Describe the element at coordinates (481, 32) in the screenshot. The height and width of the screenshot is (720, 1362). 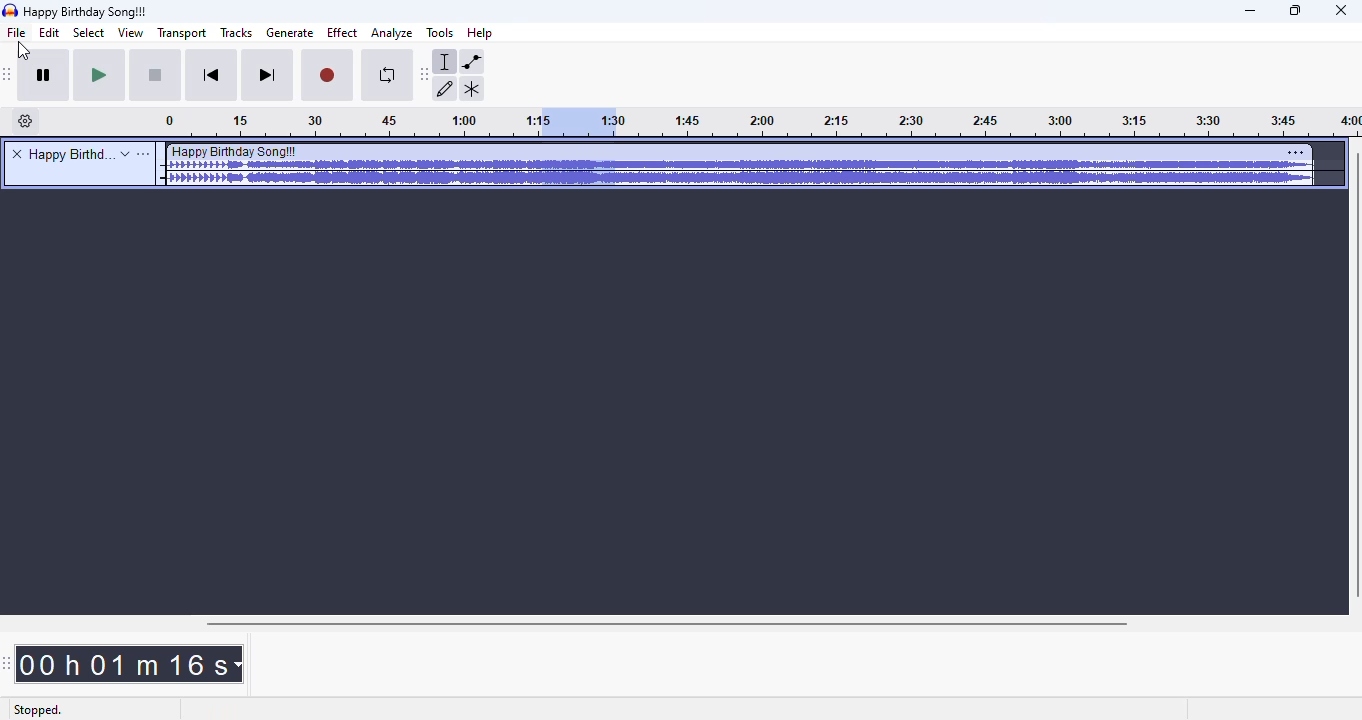
I see `help` at that location.